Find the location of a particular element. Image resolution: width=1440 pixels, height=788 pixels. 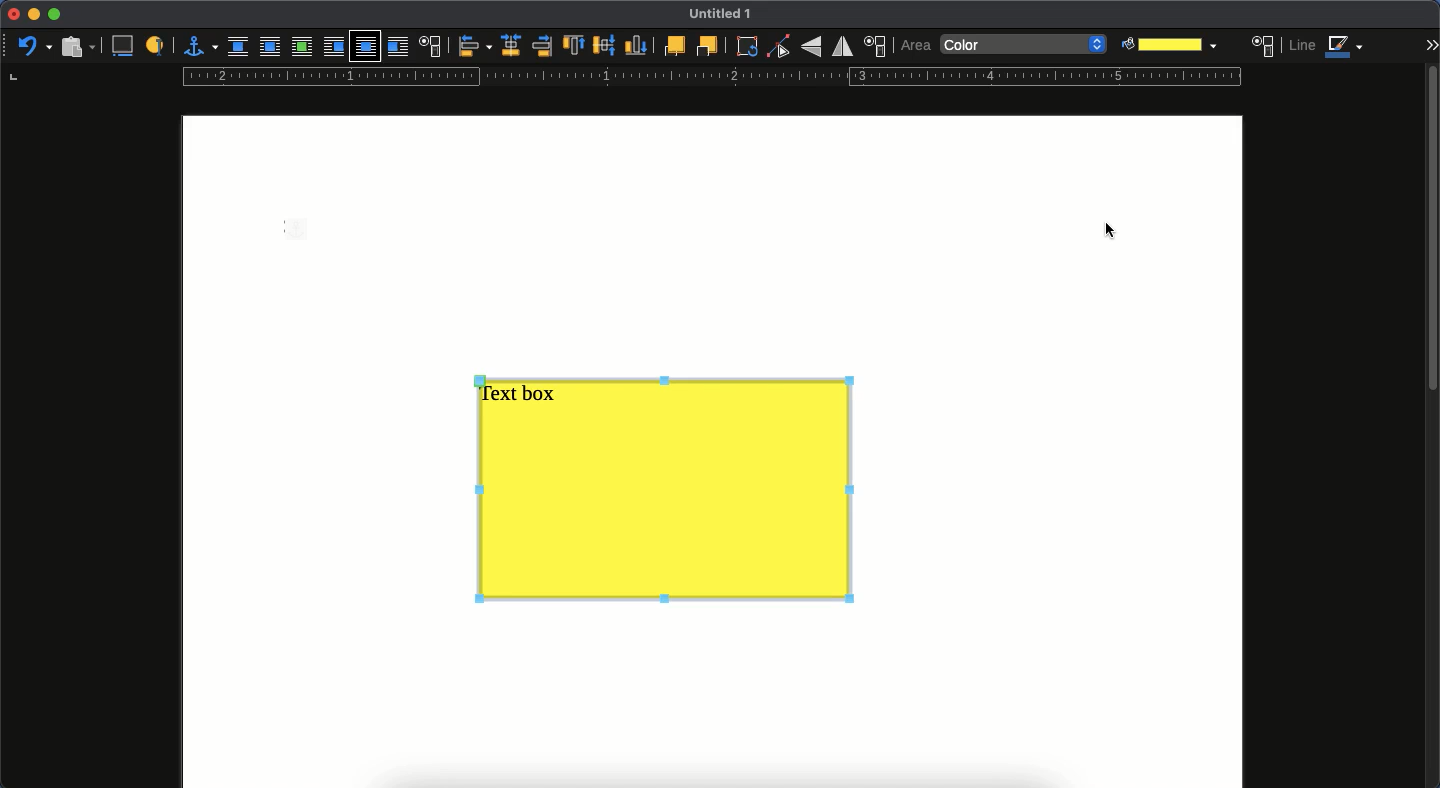

optimal is located at coordinates (301, 48).